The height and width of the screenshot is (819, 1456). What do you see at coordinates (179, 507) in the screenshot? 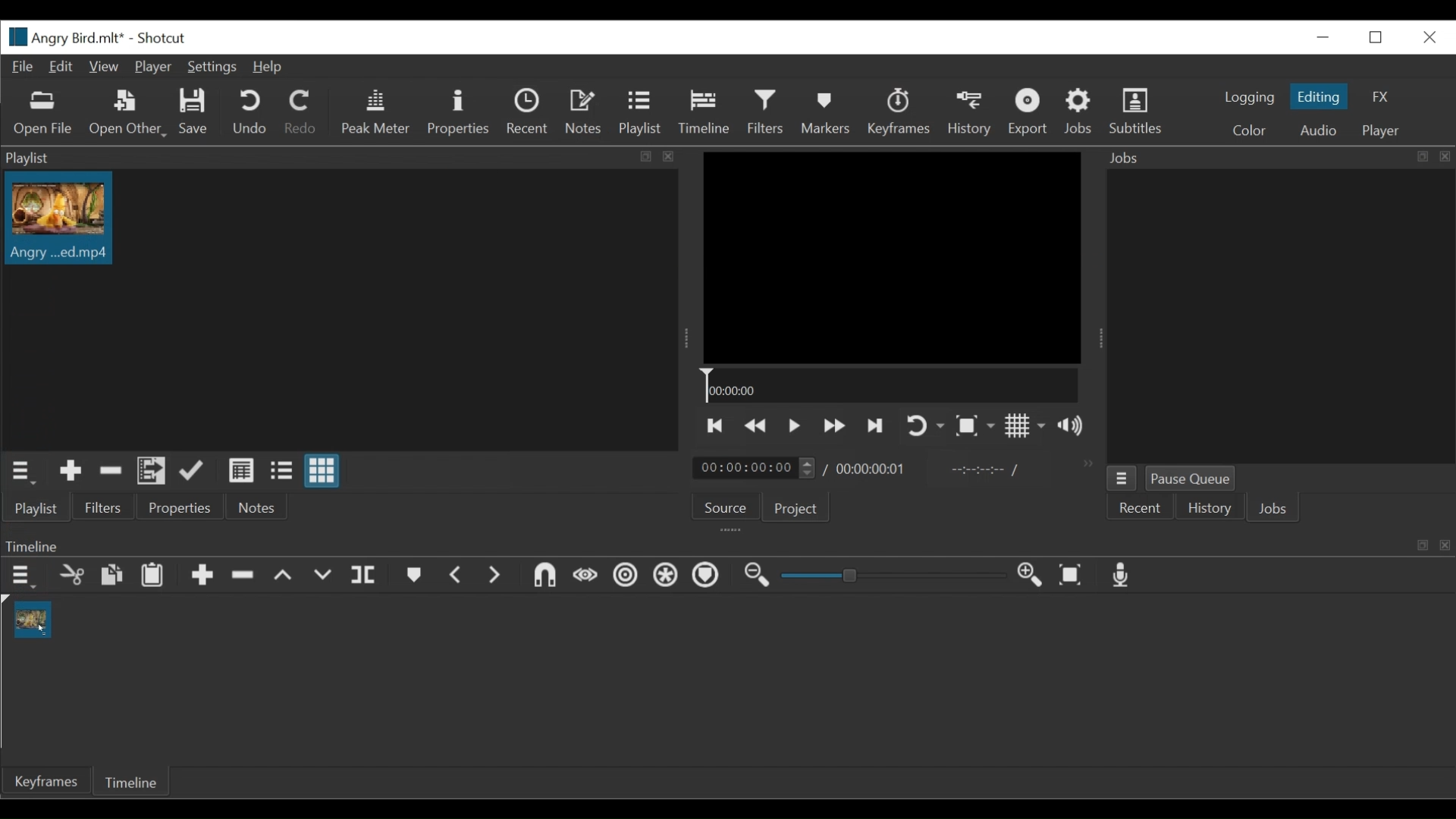
I see `Properties` at bounding box center [179, 507].